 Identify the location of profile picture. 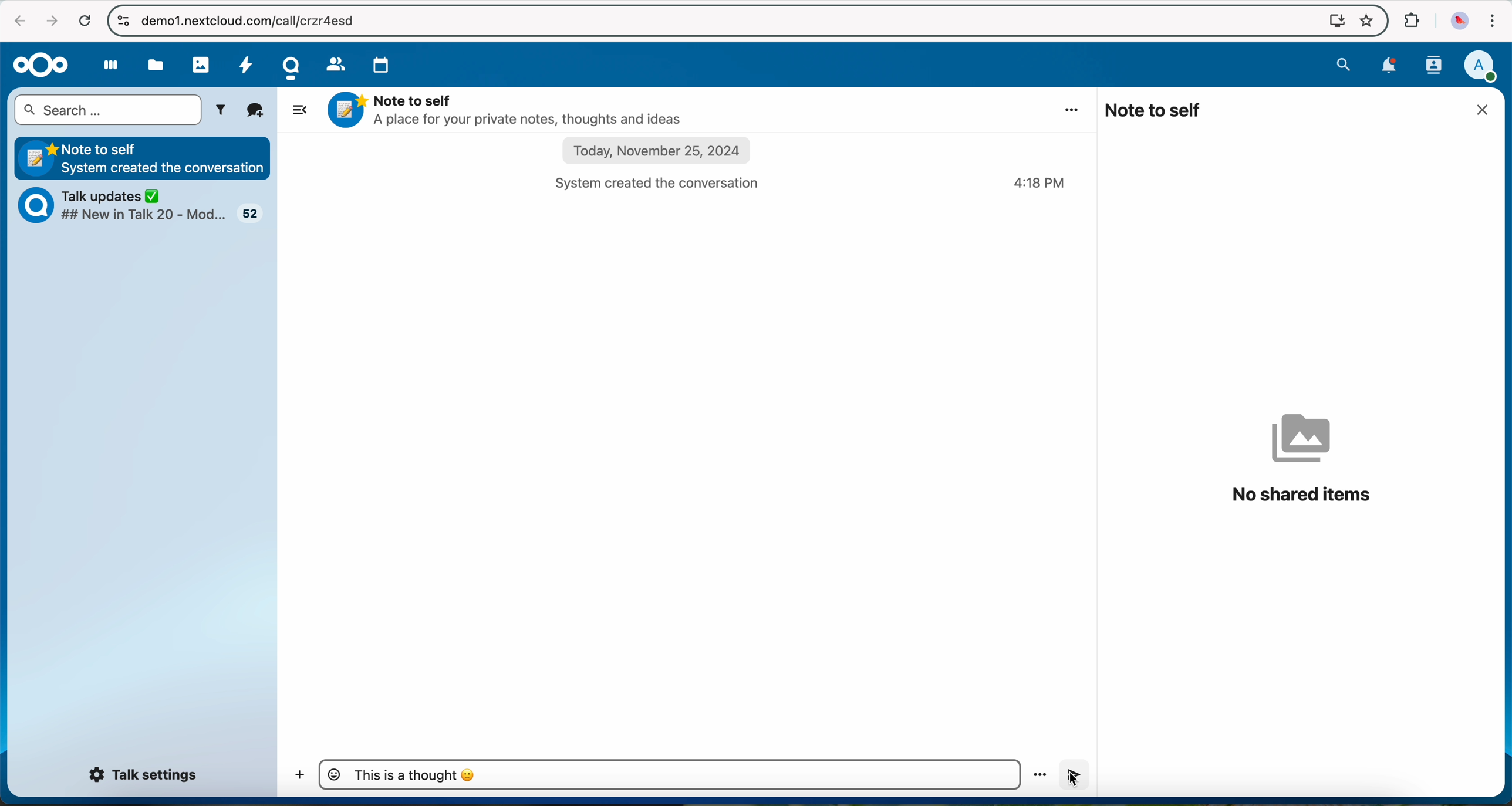
(1456, 21).